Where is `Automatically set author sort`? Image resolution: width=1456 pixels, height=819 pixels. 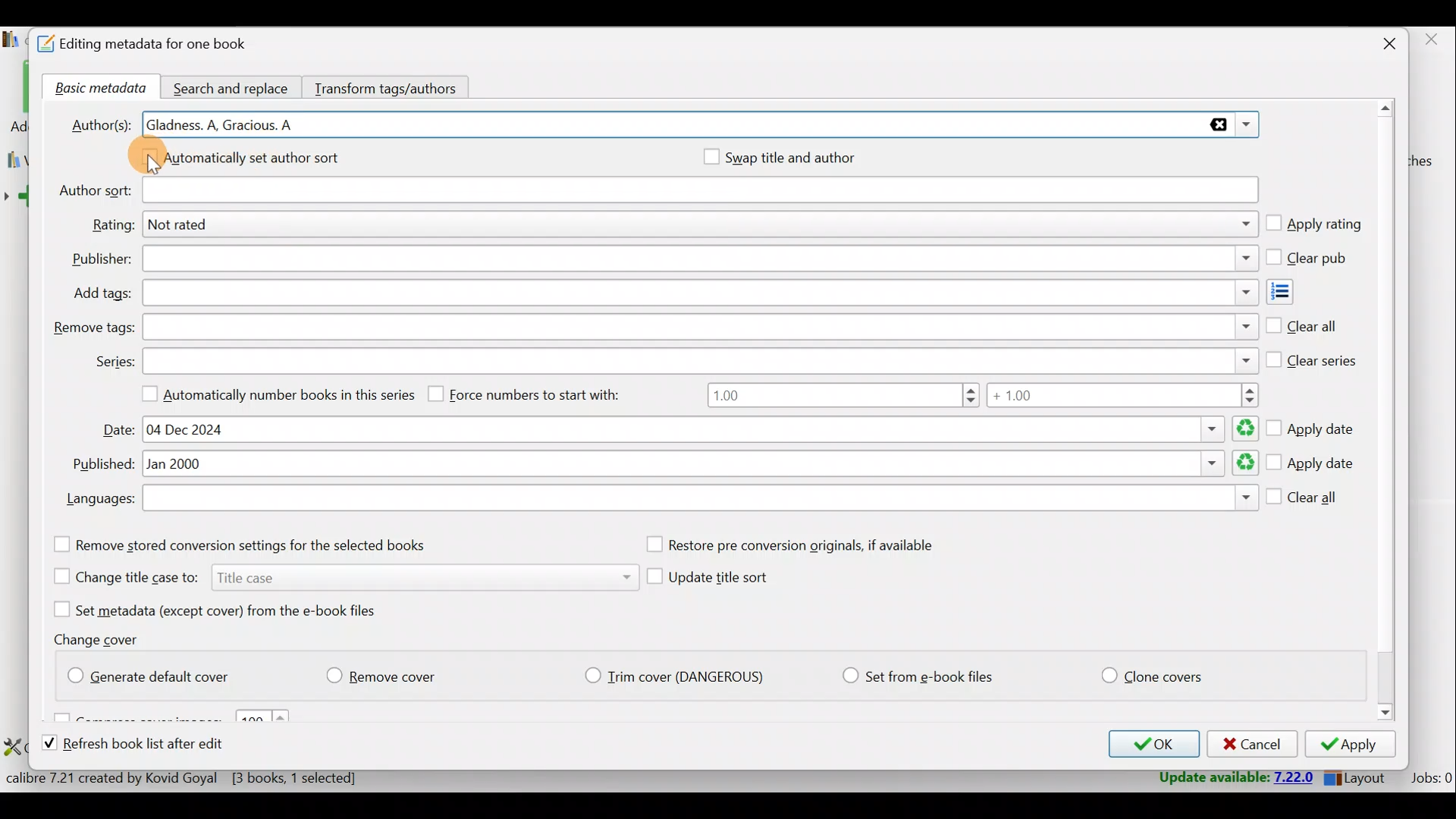 Automatically set author sort is located at coordinates (253, 160).